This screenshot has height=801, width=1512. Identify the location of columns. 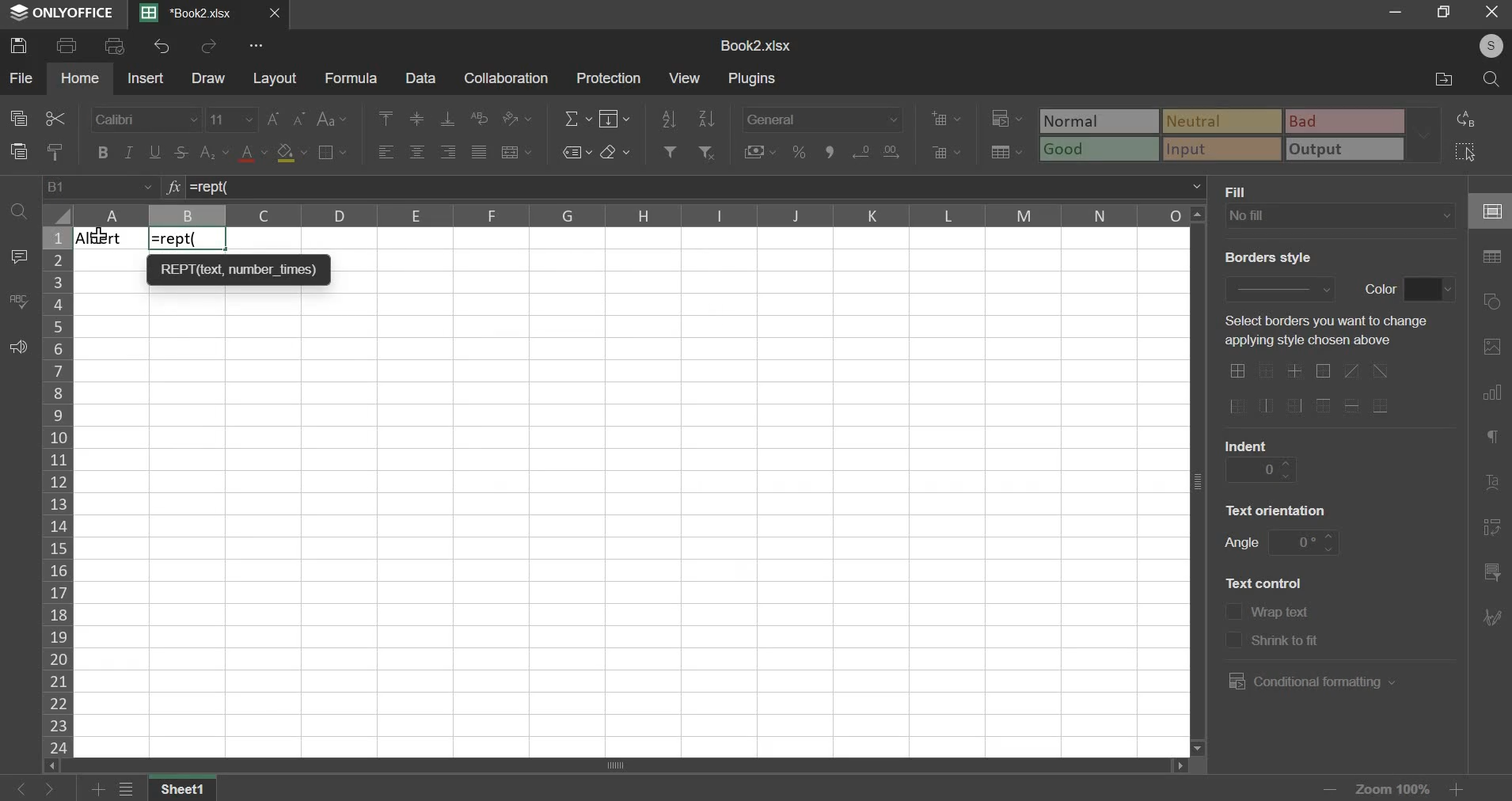
(630, 215).